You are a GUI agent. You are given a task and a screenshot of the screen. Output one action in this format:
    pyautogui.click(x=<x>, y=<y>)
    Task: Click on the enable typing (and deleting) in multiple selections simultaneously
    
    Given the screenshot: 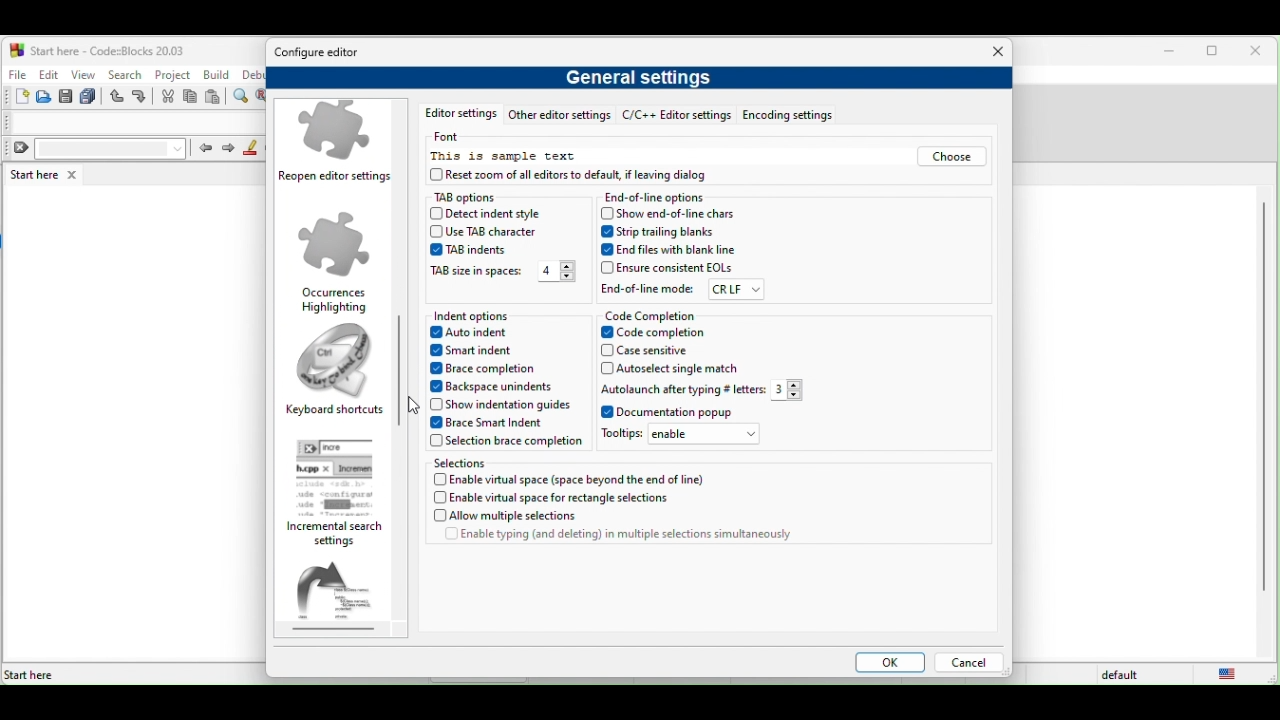 What is the action you would take?
    pyautogui.click(x=618, y=538)
    